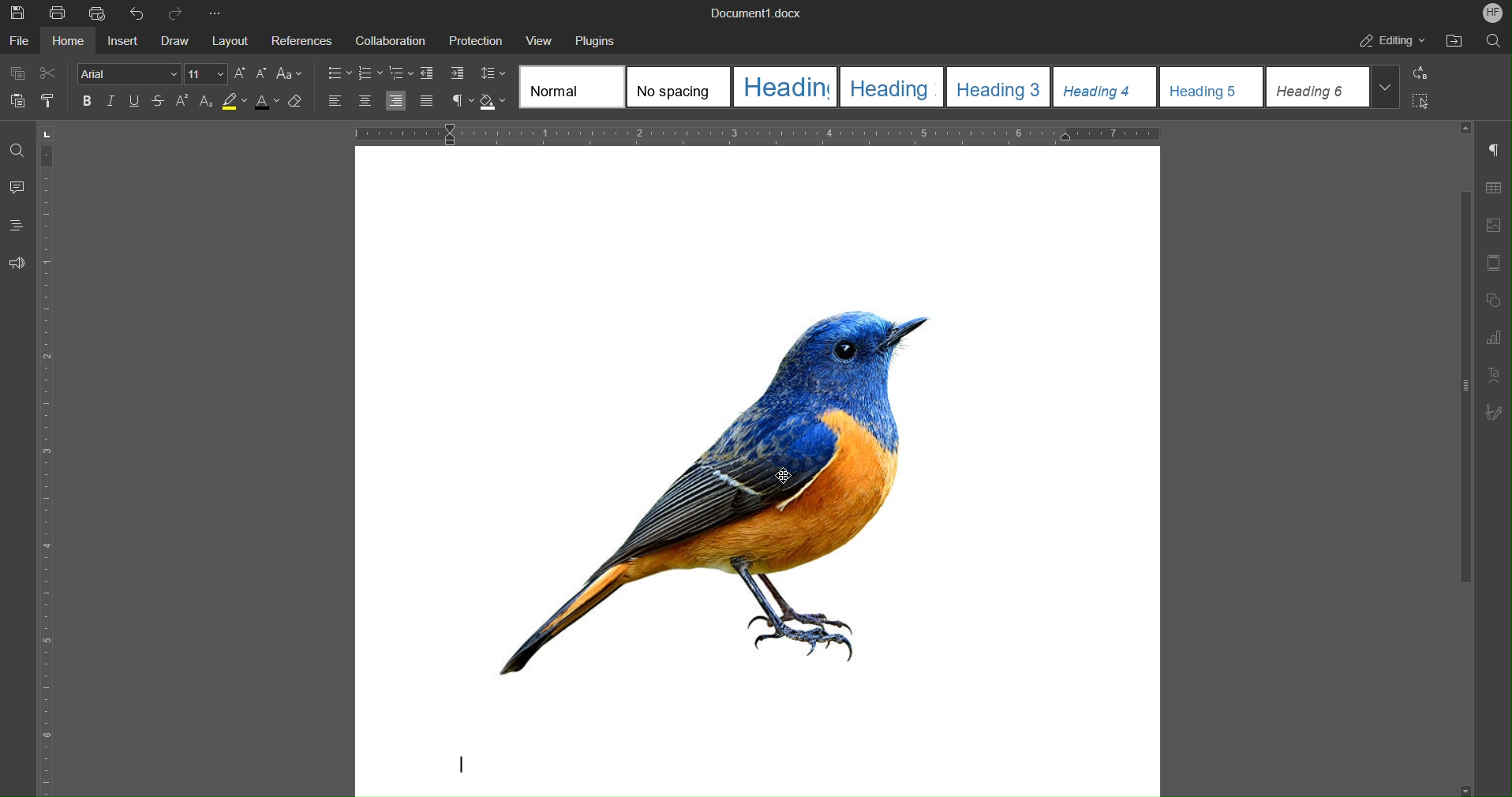 Image resolution: width=1512 pixels, height=797 pixels. I want to click on Account, so click(1494, 12).